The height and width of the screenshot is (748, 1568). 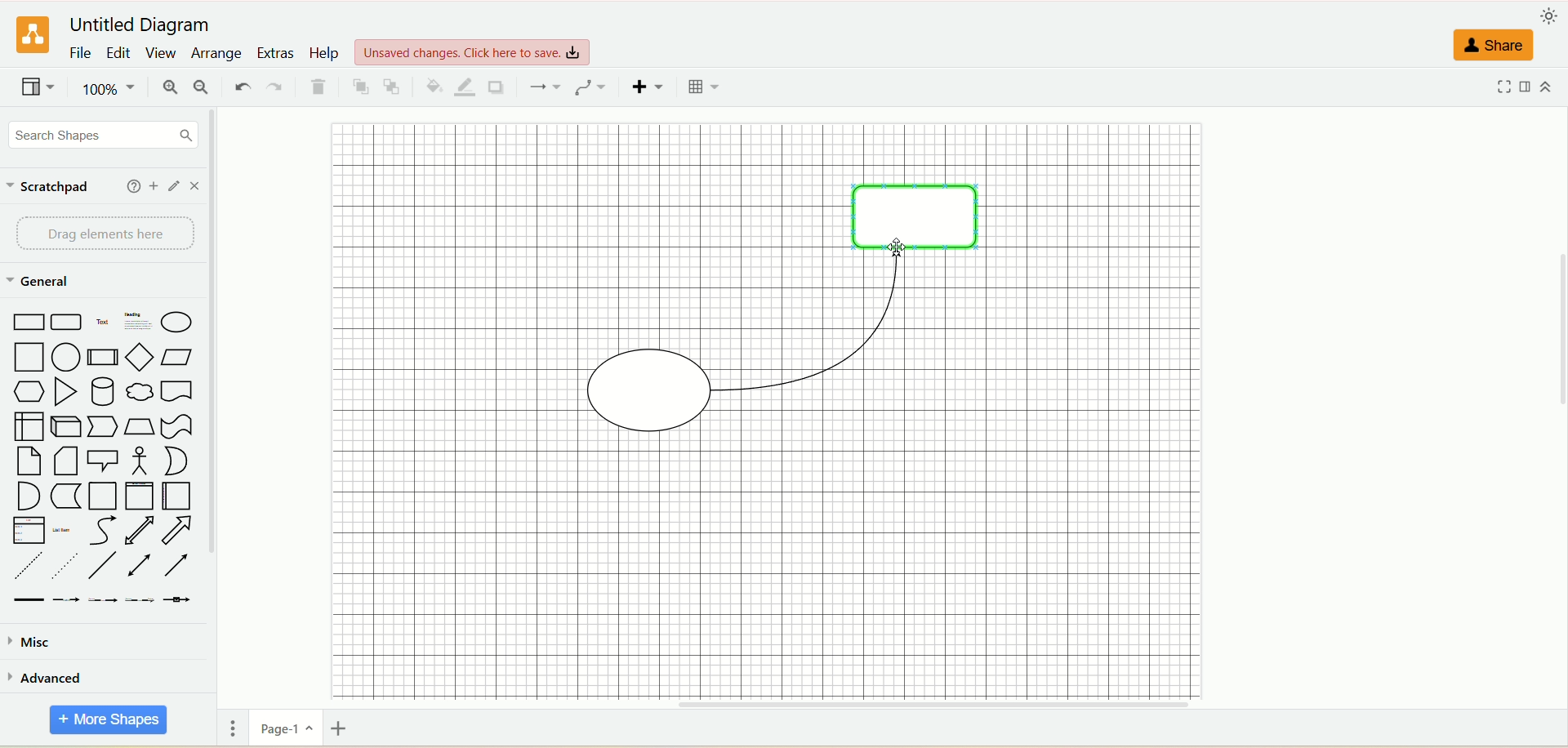 What do you see at coordinates (896, 248) in the screenshot?
I see `cursor` at bounding box center [896, 248].